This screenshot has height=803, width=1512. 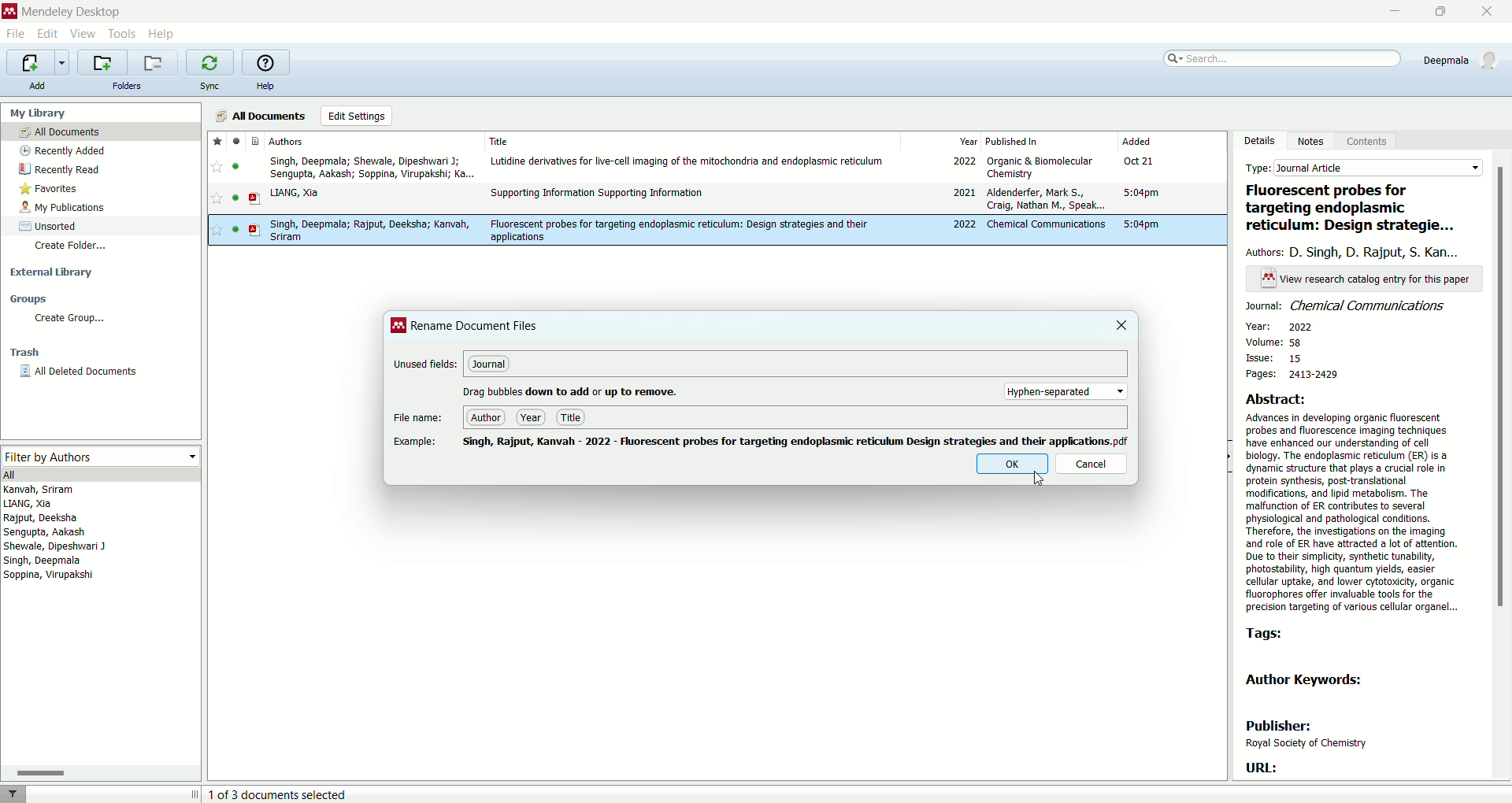 I want to click on close, so click(x=1113, y=325).